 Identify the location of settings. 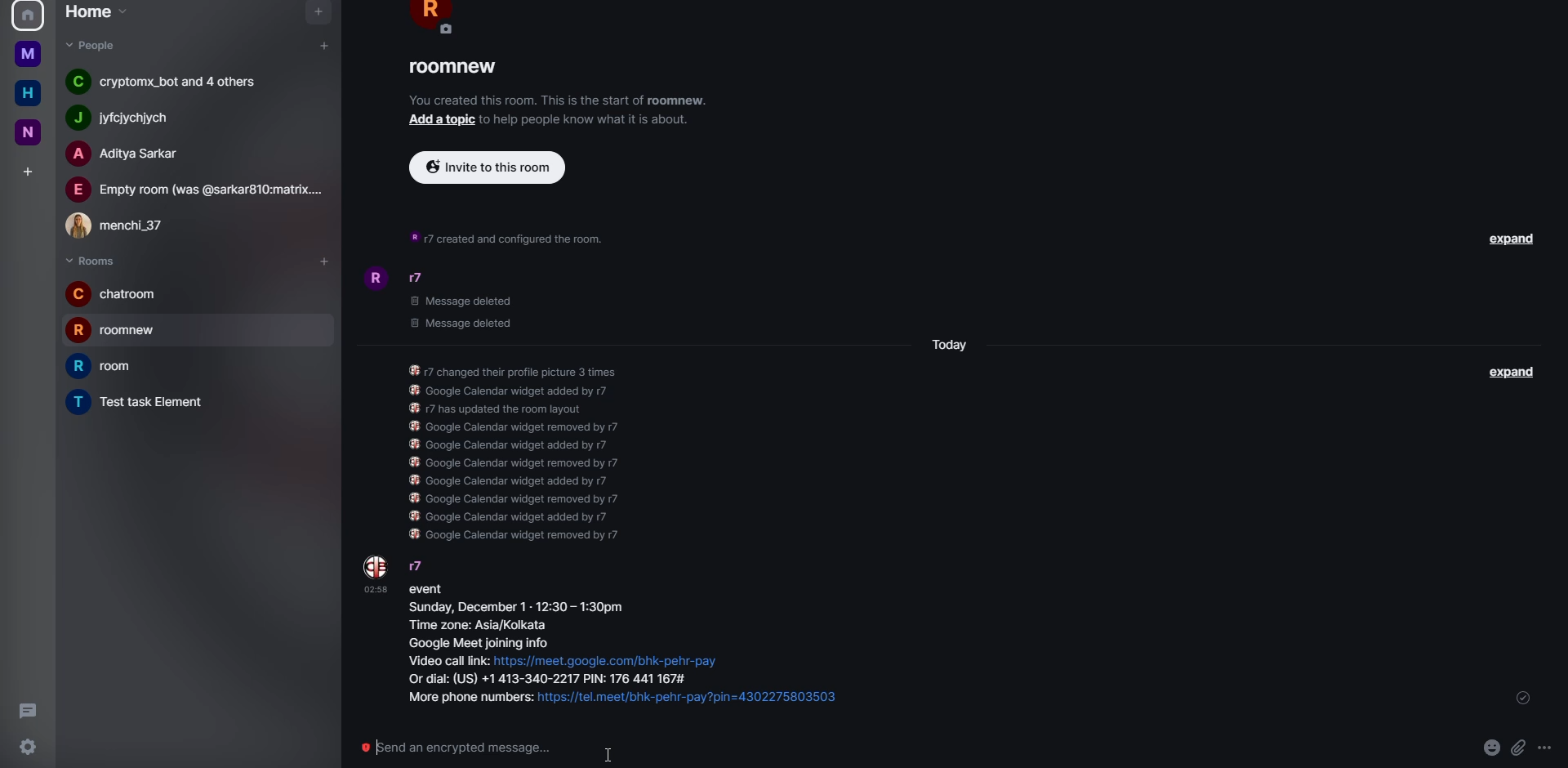
(29, 746).